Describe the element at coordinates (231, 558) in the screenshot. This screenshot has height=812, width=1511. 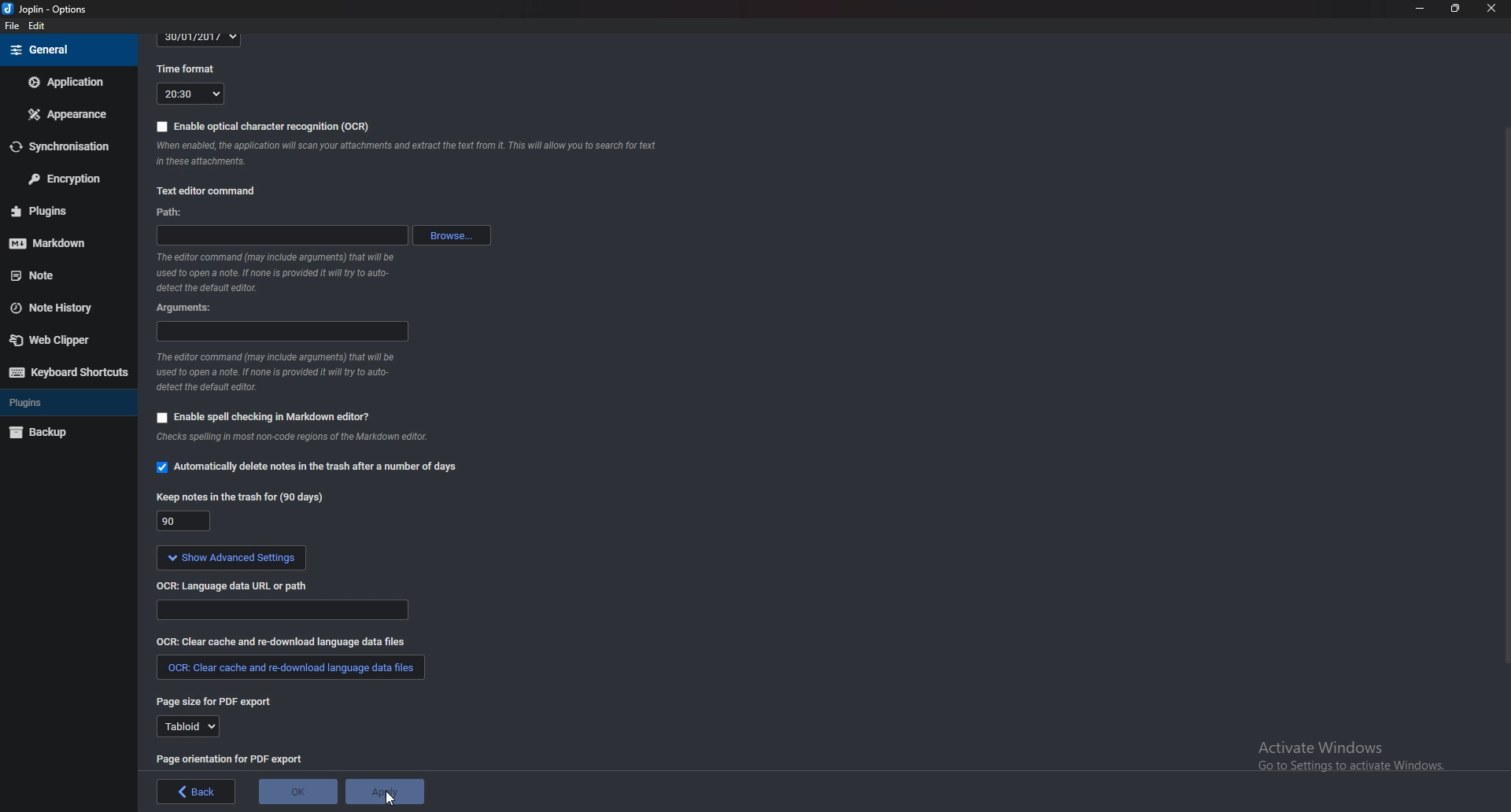
I see `show Advanced settings` at that location.